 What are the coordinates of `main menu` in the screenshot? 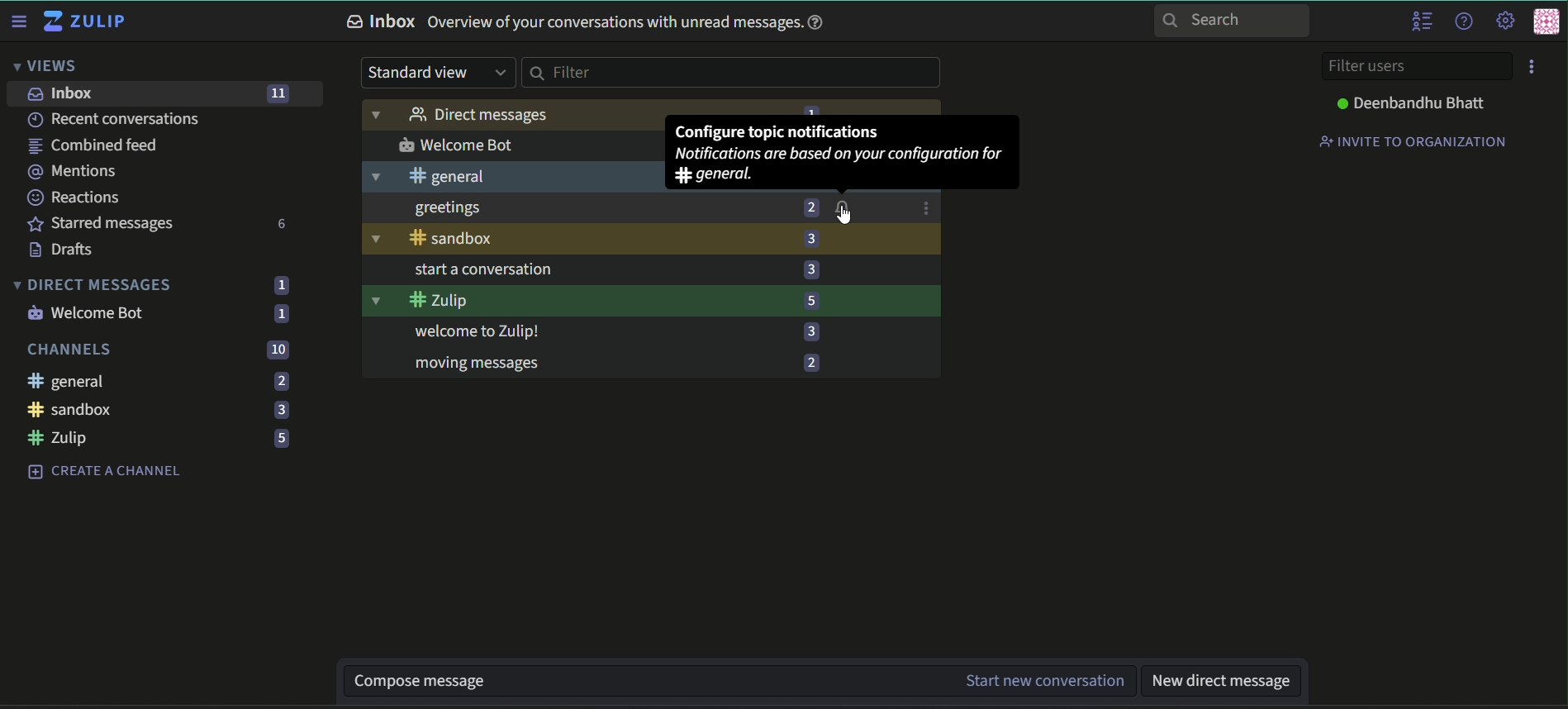 It's located at (1503, 20).